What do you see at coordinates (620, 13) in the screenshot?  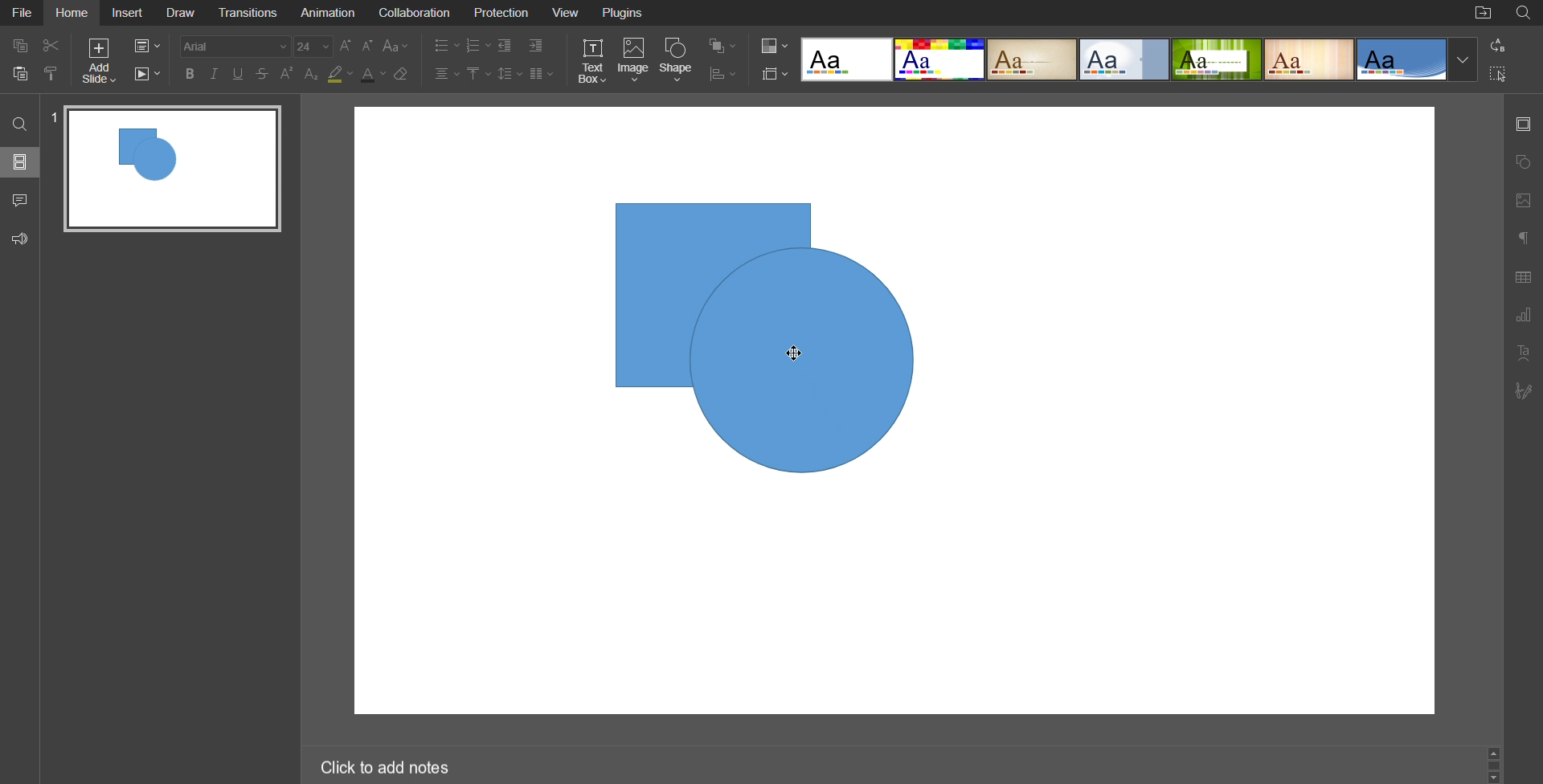 I see `Plugins` at bounding box center [620, 13].